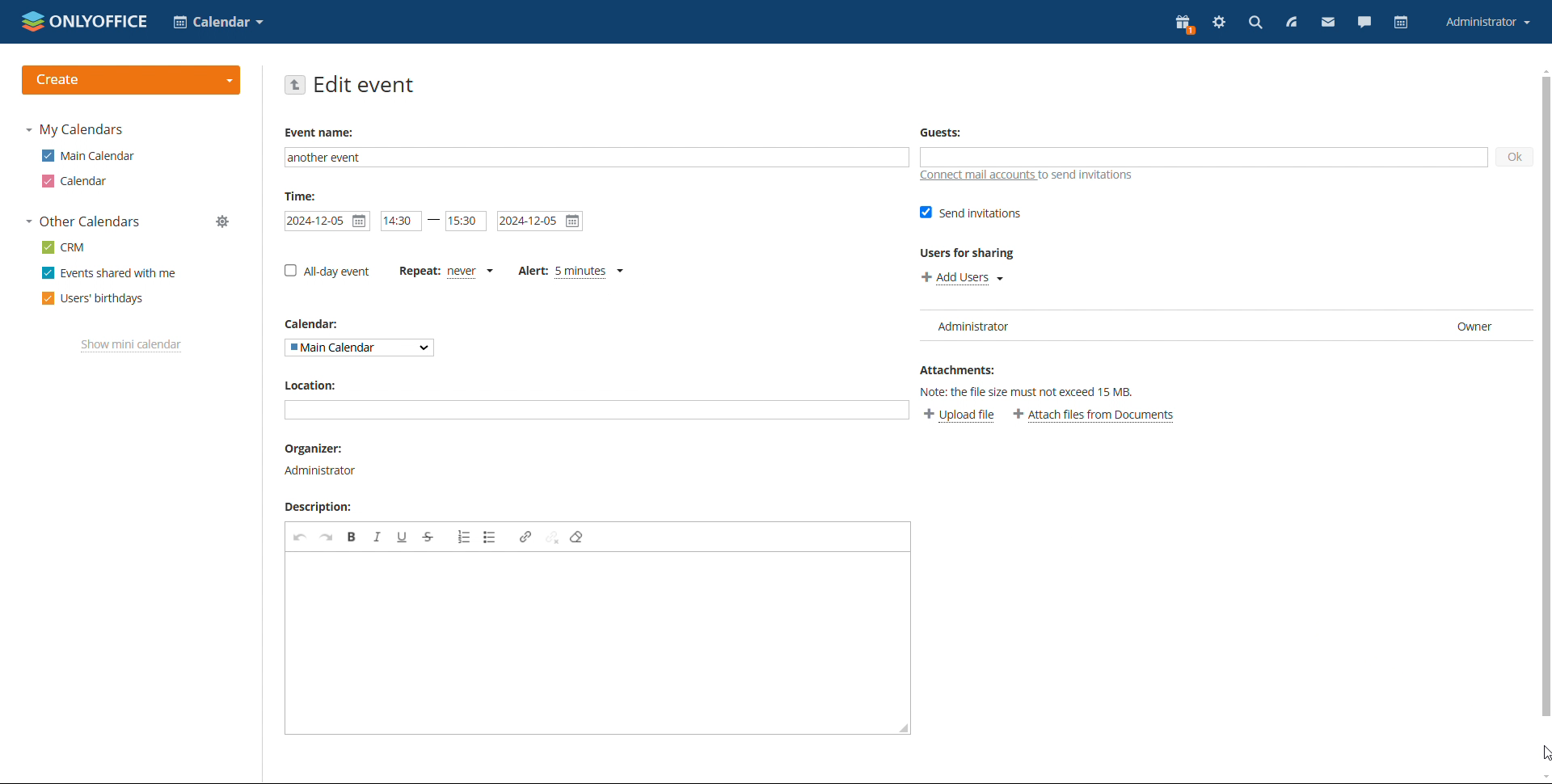  I want to click on italic, so click(377, 537).